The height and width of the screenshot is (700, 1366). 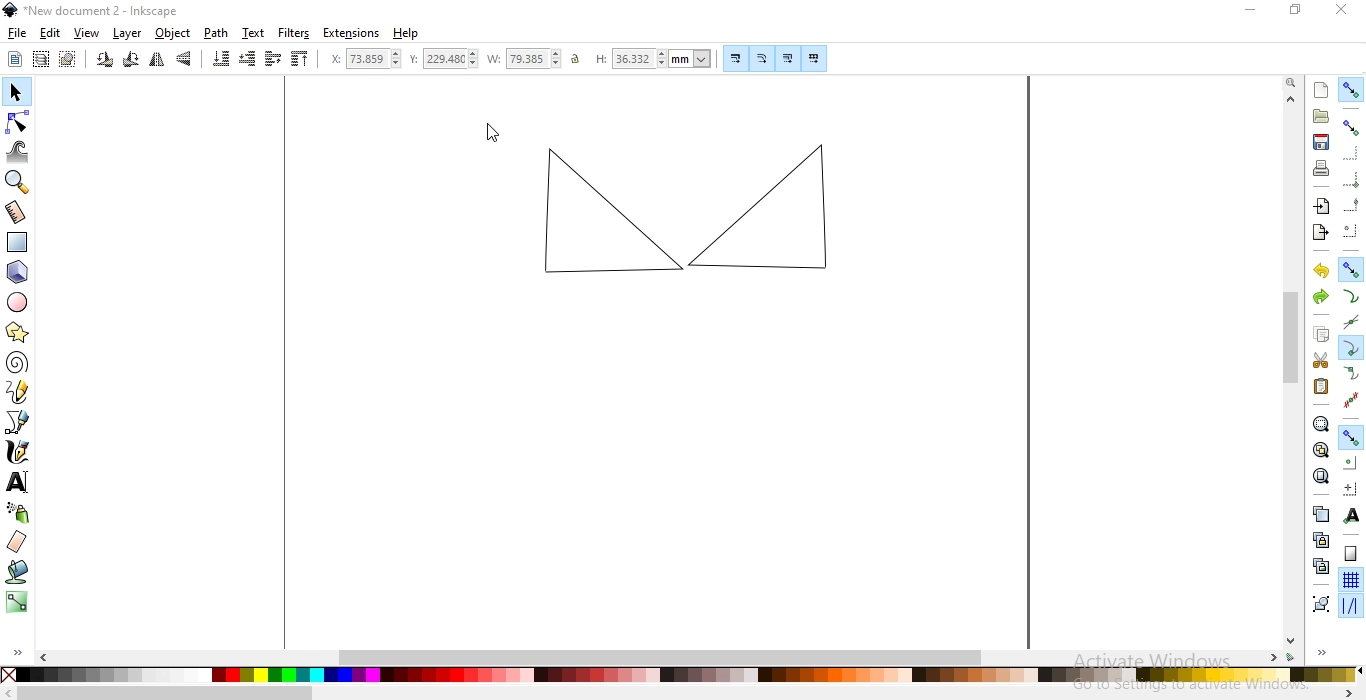 I want to click on draw freehand lines, so click(x=19, y=393).